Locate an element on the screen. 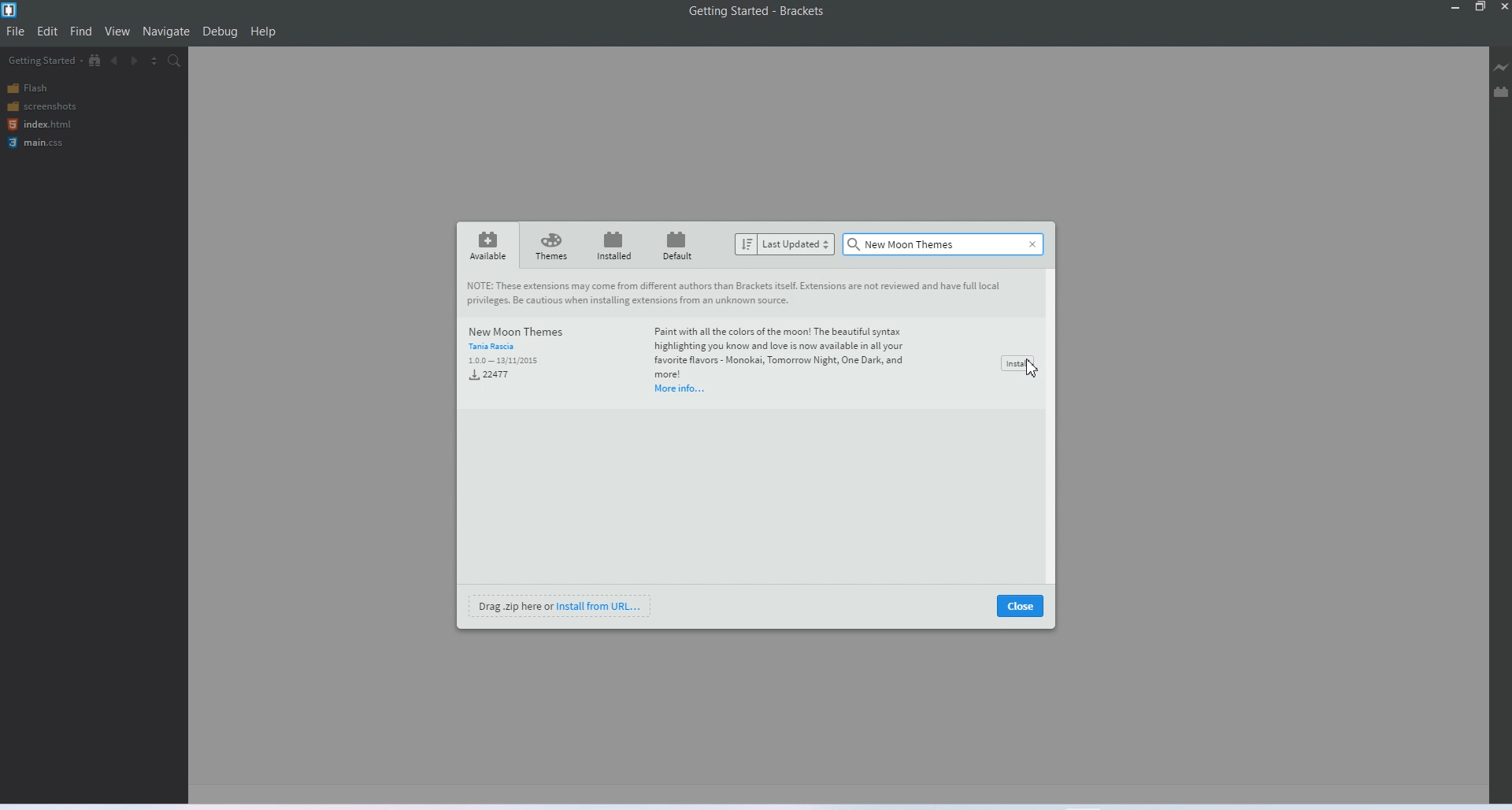 The image size is (1512, 810). Close is located at coordinates (1503, 8).